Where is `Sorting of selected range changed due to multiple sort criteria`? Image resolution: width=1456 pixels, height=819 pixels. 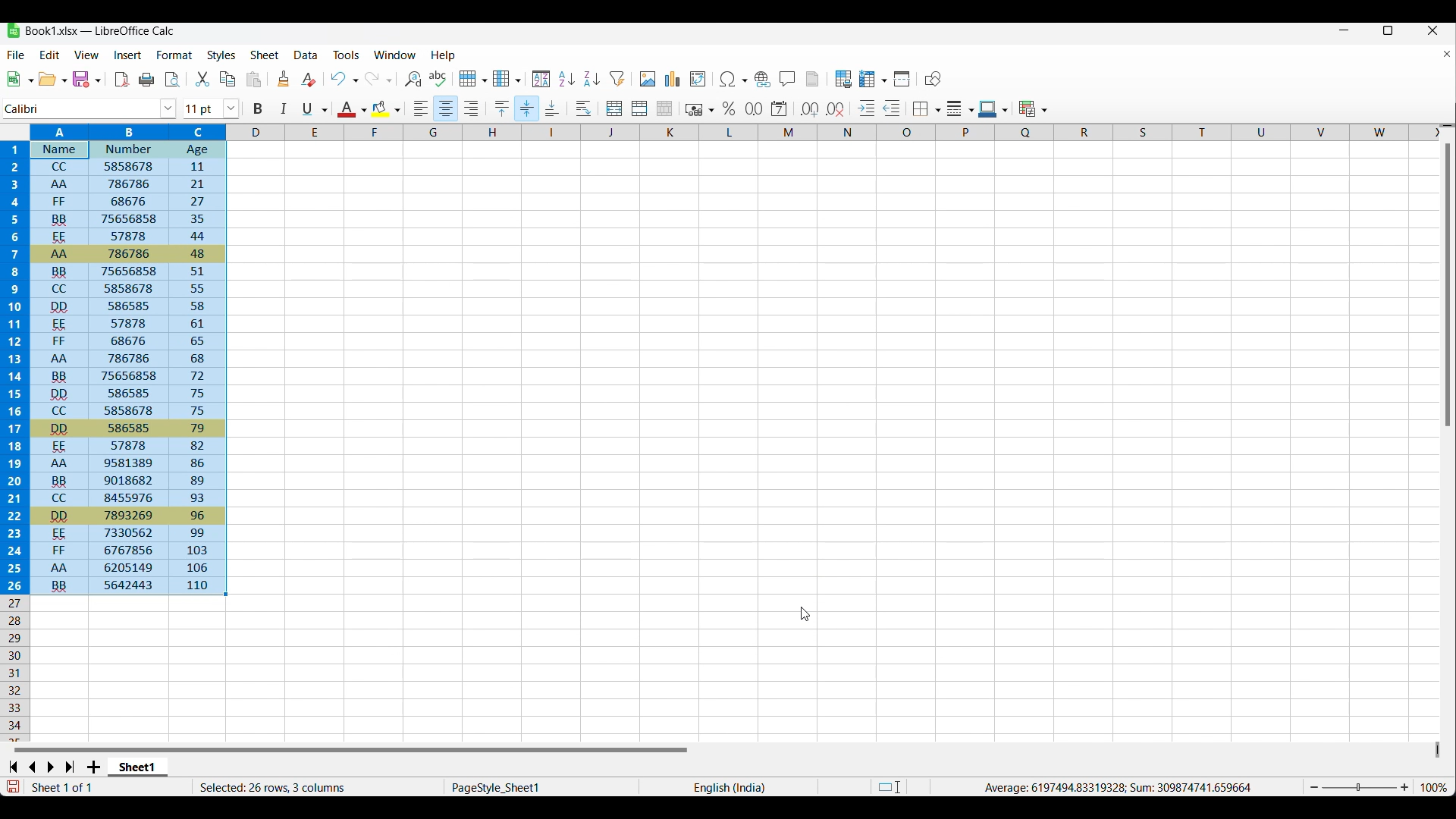 Sorting of selected range changed due to multiple sort criteria is located at coordinates (119, 359).